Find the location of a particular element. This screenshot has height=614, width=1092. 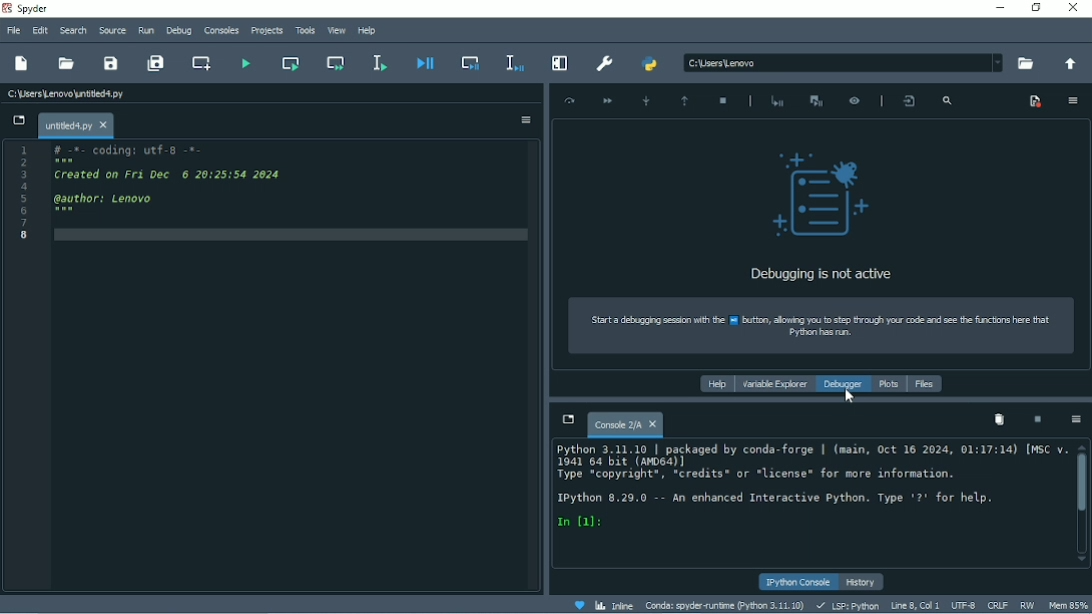

RW is located at coordinates (1027, 604).